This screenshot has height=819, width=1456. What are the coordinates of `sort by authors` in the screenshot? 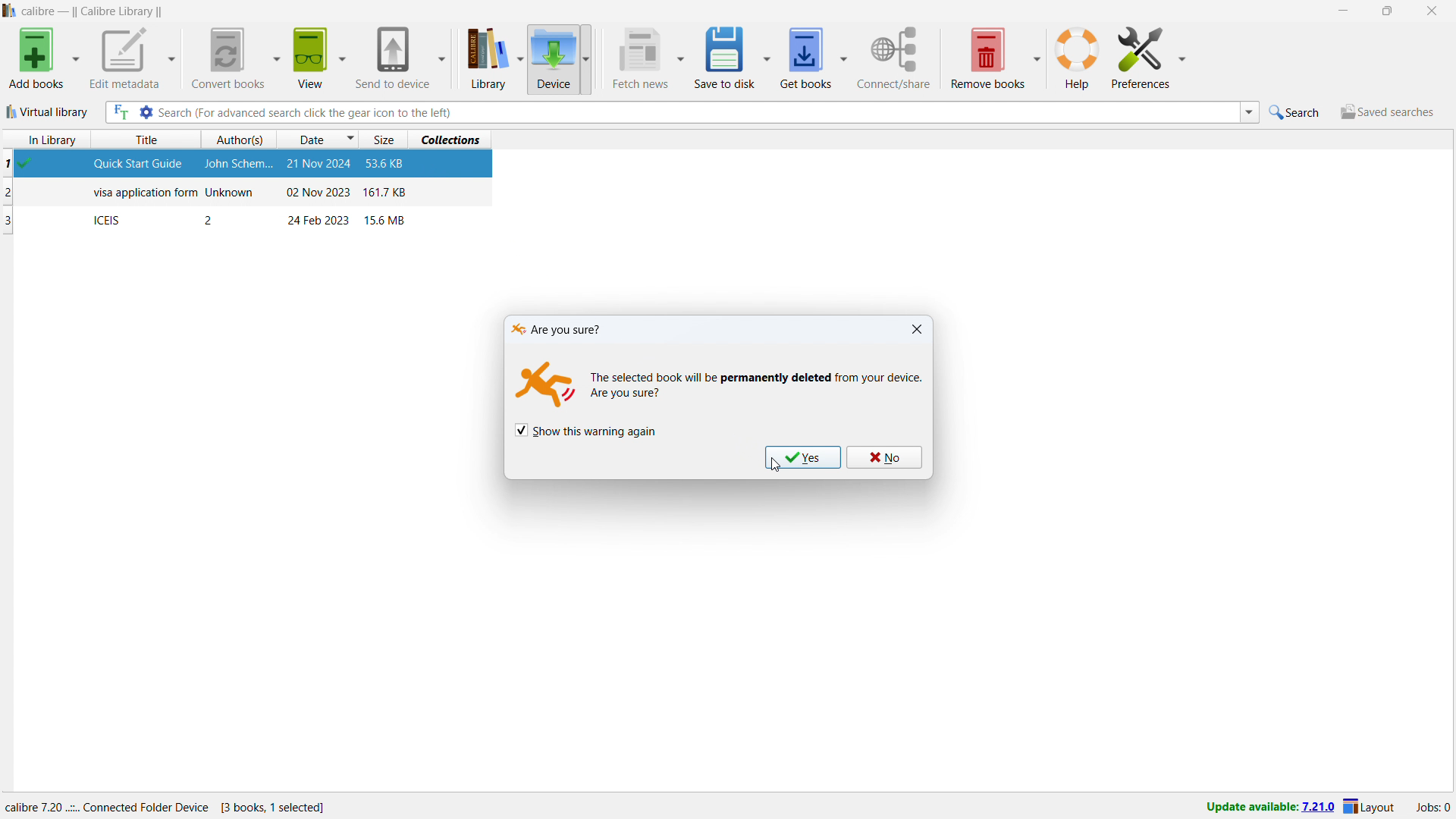 It's located at (240, 140).